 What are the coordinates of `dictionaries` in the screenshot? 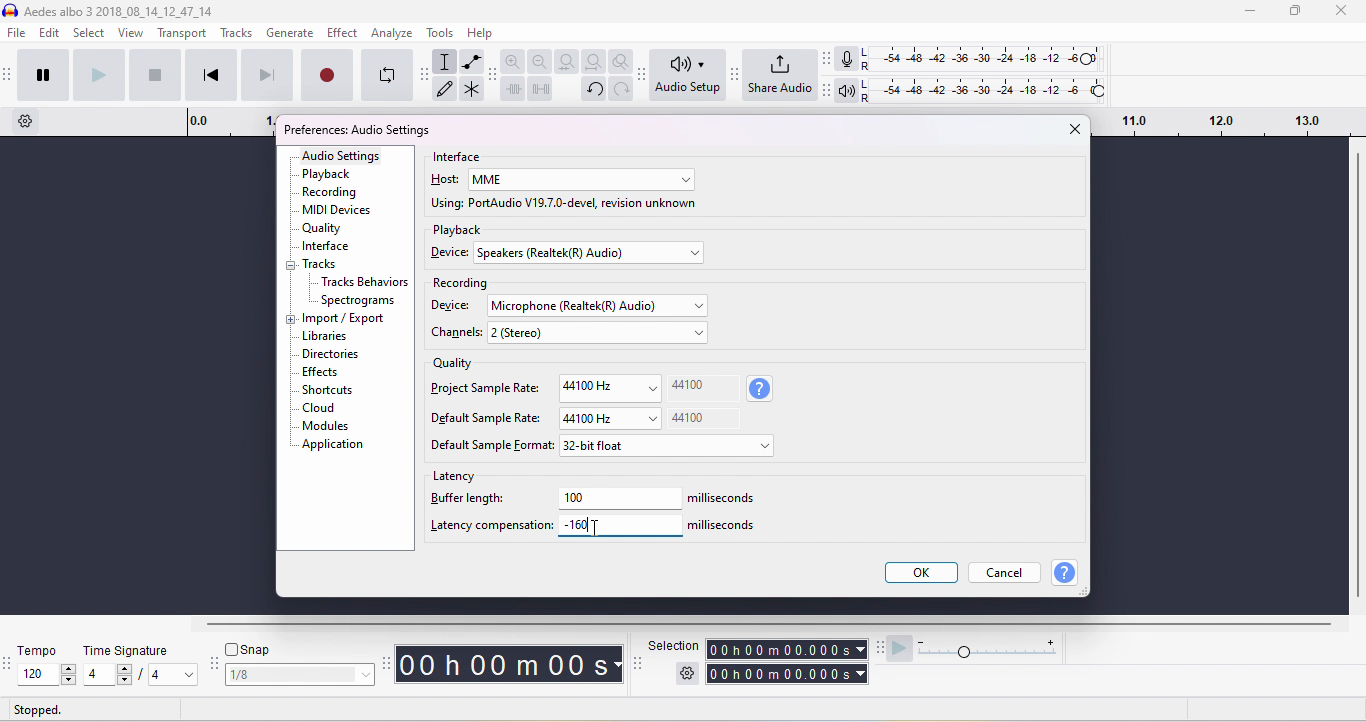 It's located at (331, 355).